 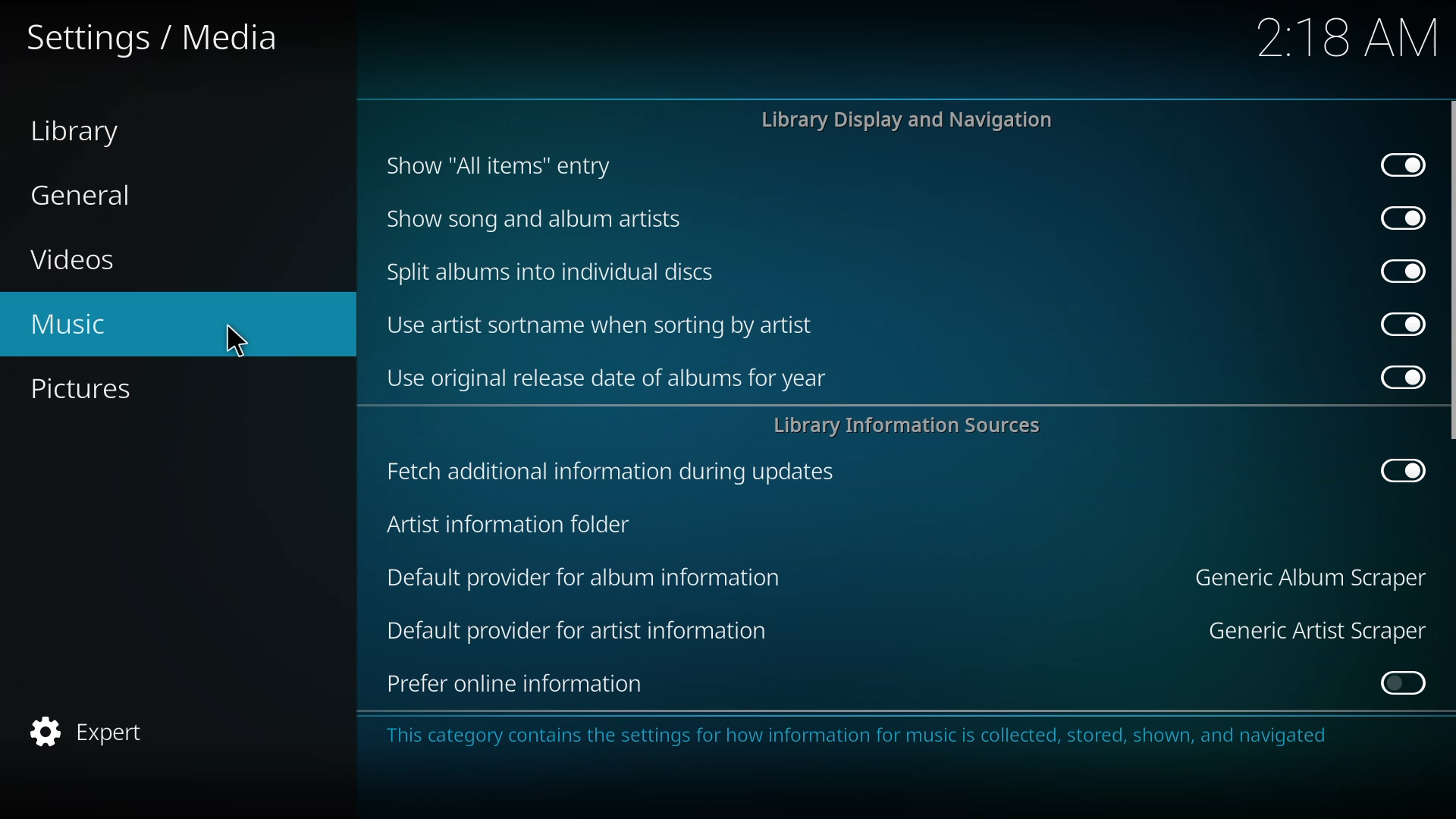 What do you see at coordinates (908, 424) in the screenshot?
I see `library info sources` at bounding box center [908, 424].